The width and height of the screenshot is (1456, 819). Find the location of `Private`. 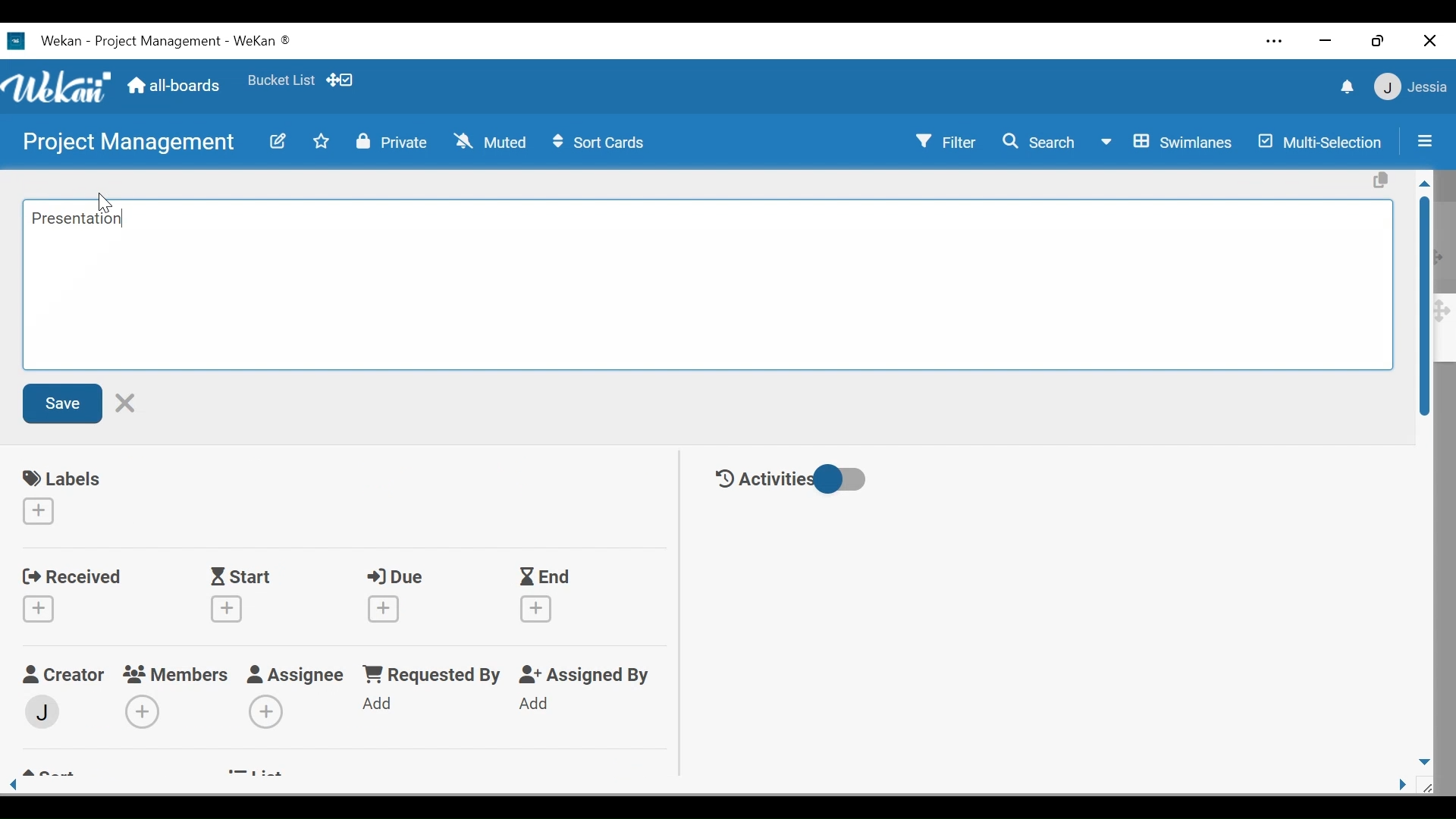

Private is located at coordinates (392, 142).